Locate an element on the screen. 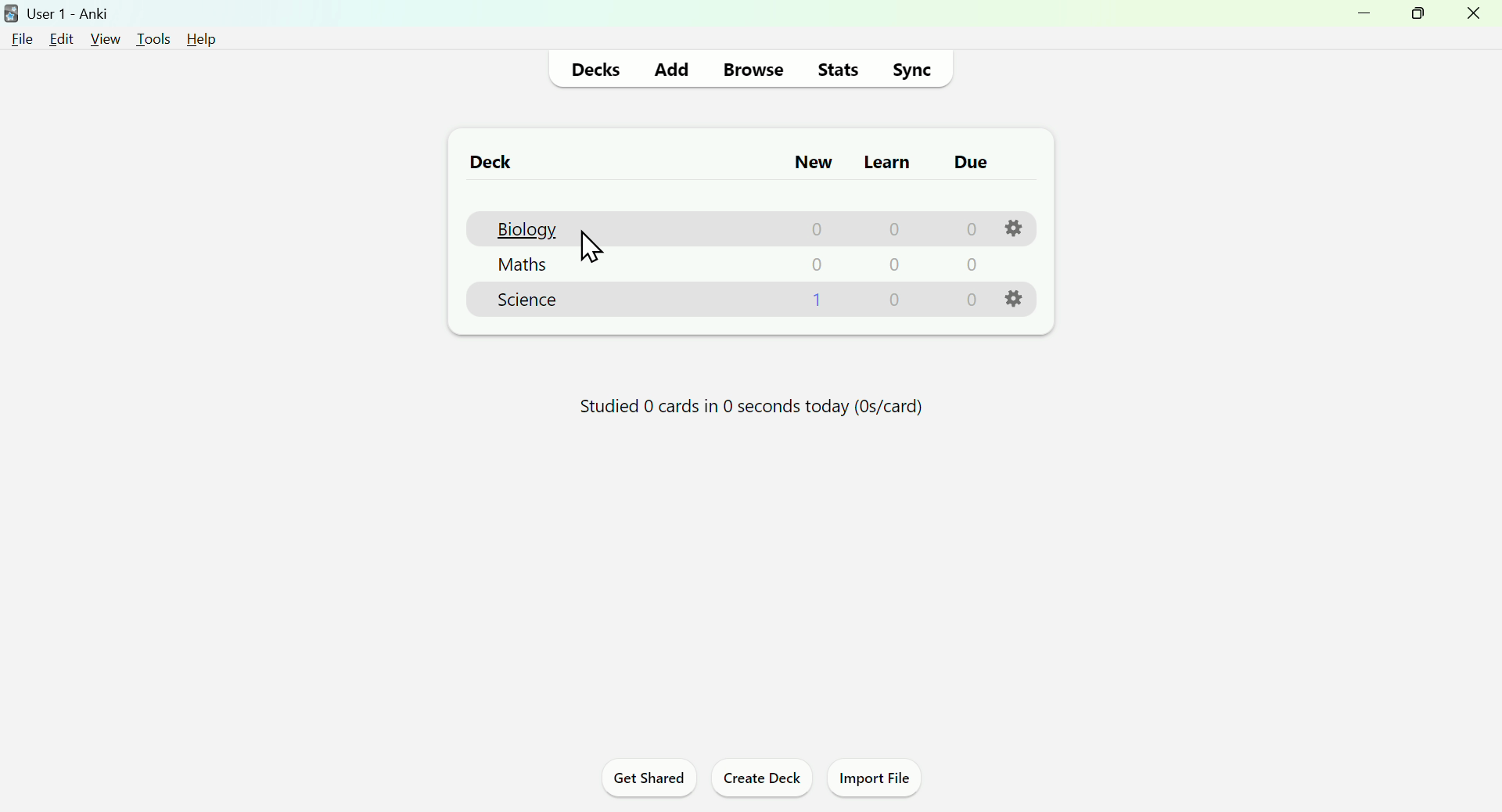  settings is located at coordinates (1012, 297).